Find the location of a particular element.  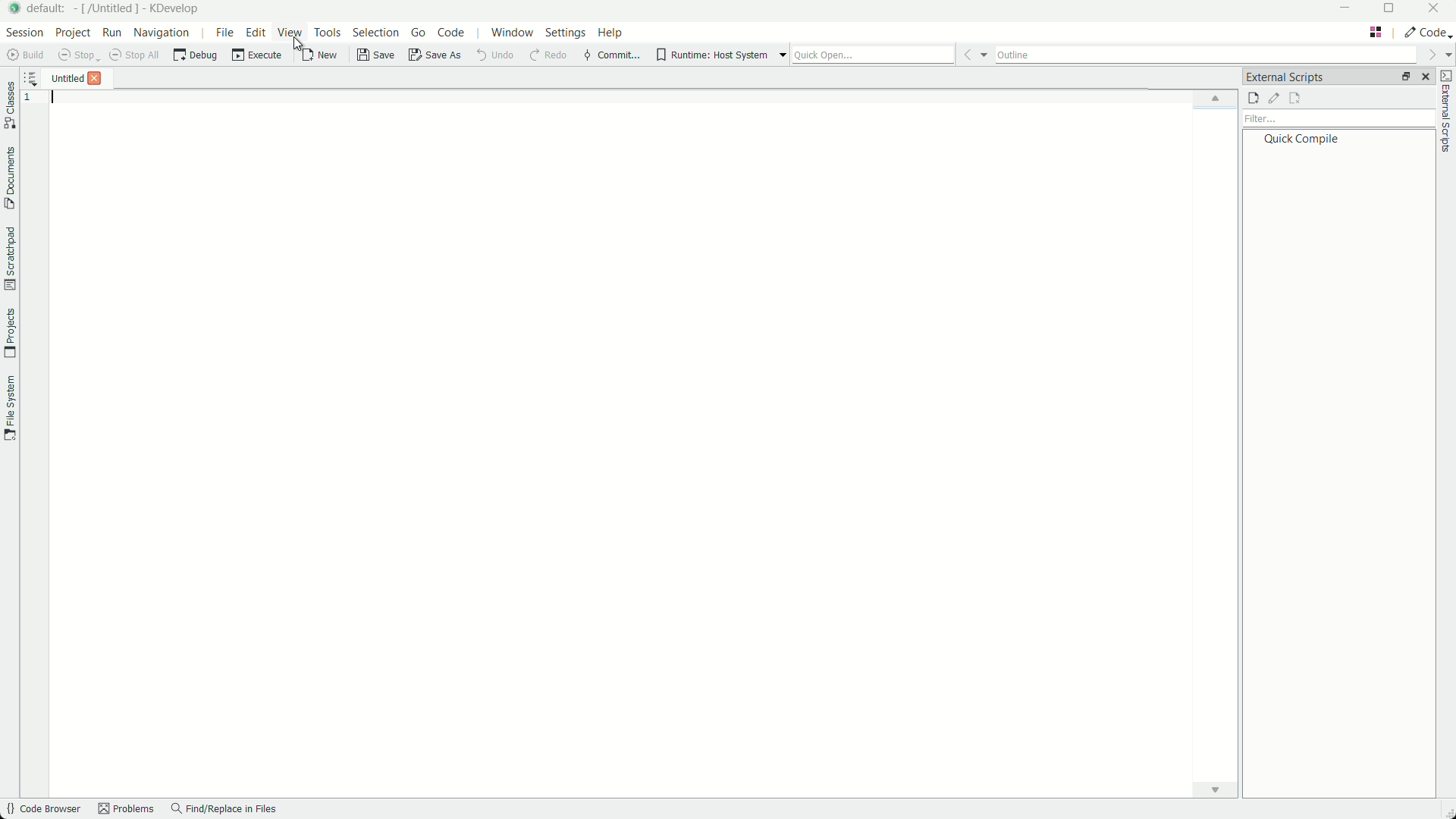

documents is located at coordinates (9, 177).